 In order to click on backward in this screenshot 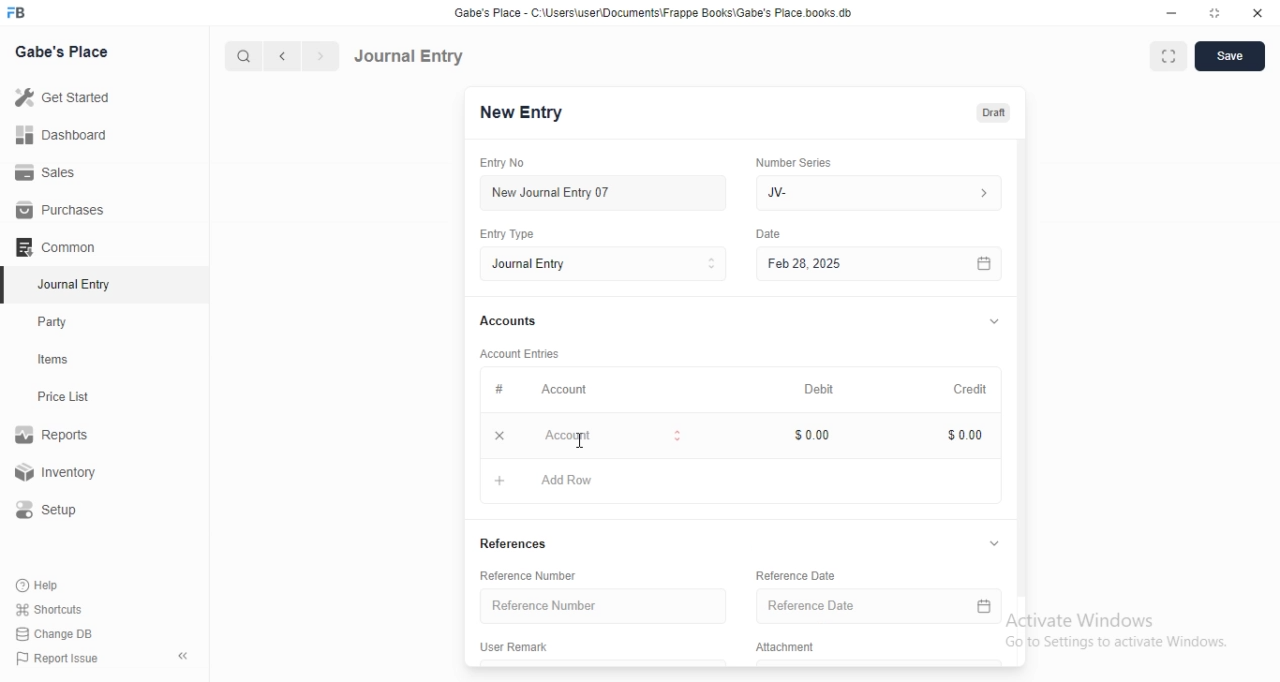, I will do `click(281, 56)`.